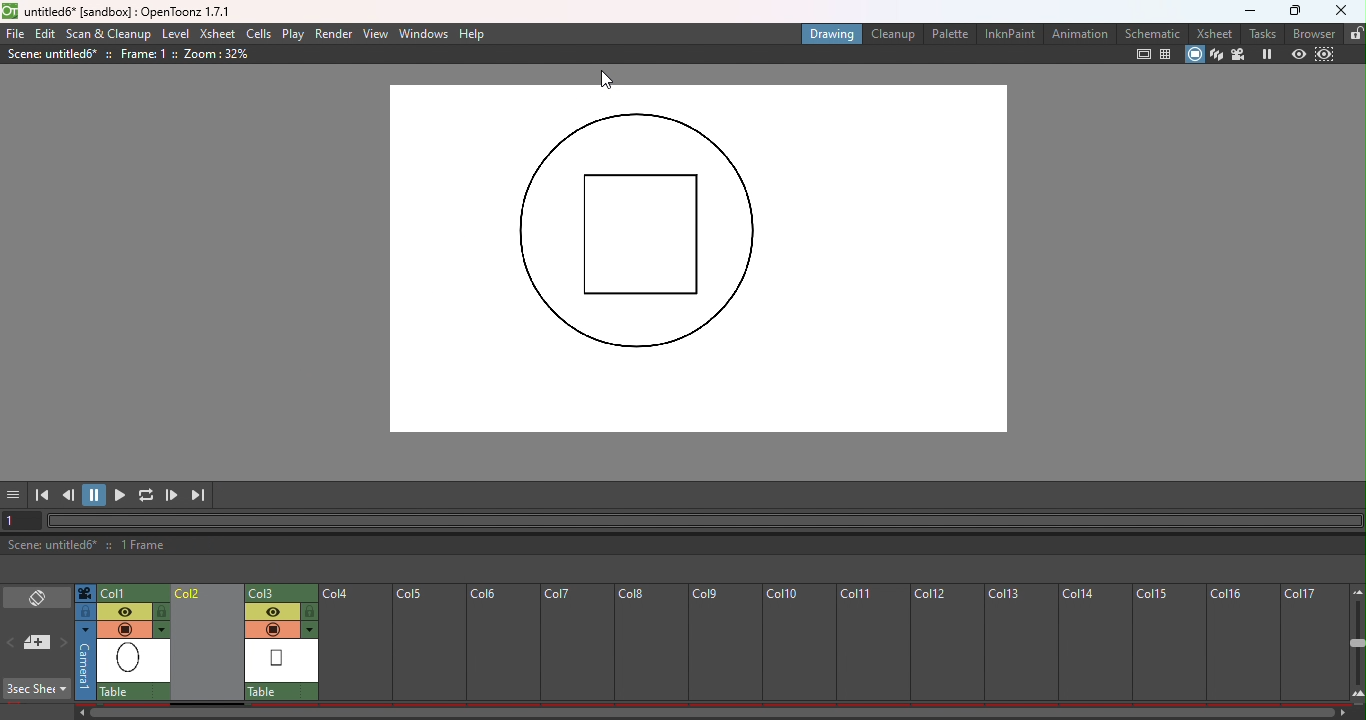 This screenshot has width=1366, height=720. I want to click on Sub-camera preview, so click(1327, 54).